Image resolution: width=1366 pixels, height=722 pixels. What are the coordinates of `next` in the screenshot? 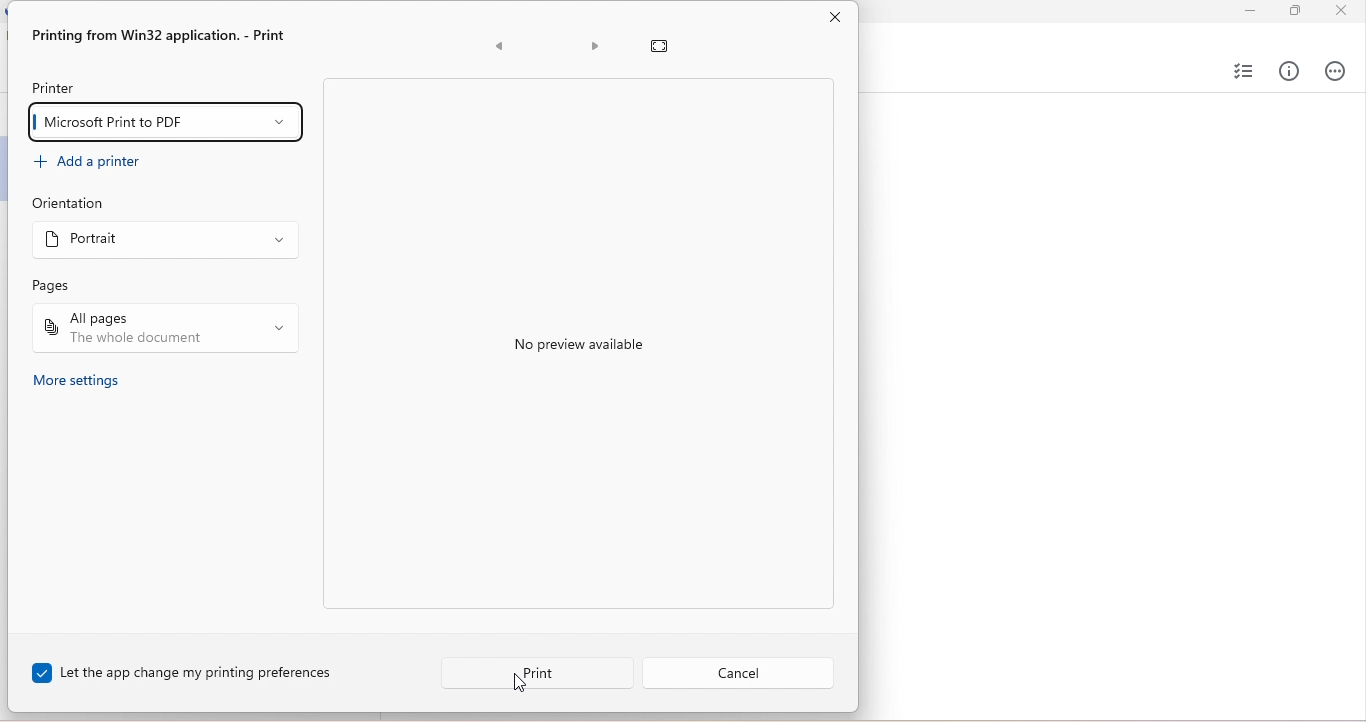 It's located at (599, 48).